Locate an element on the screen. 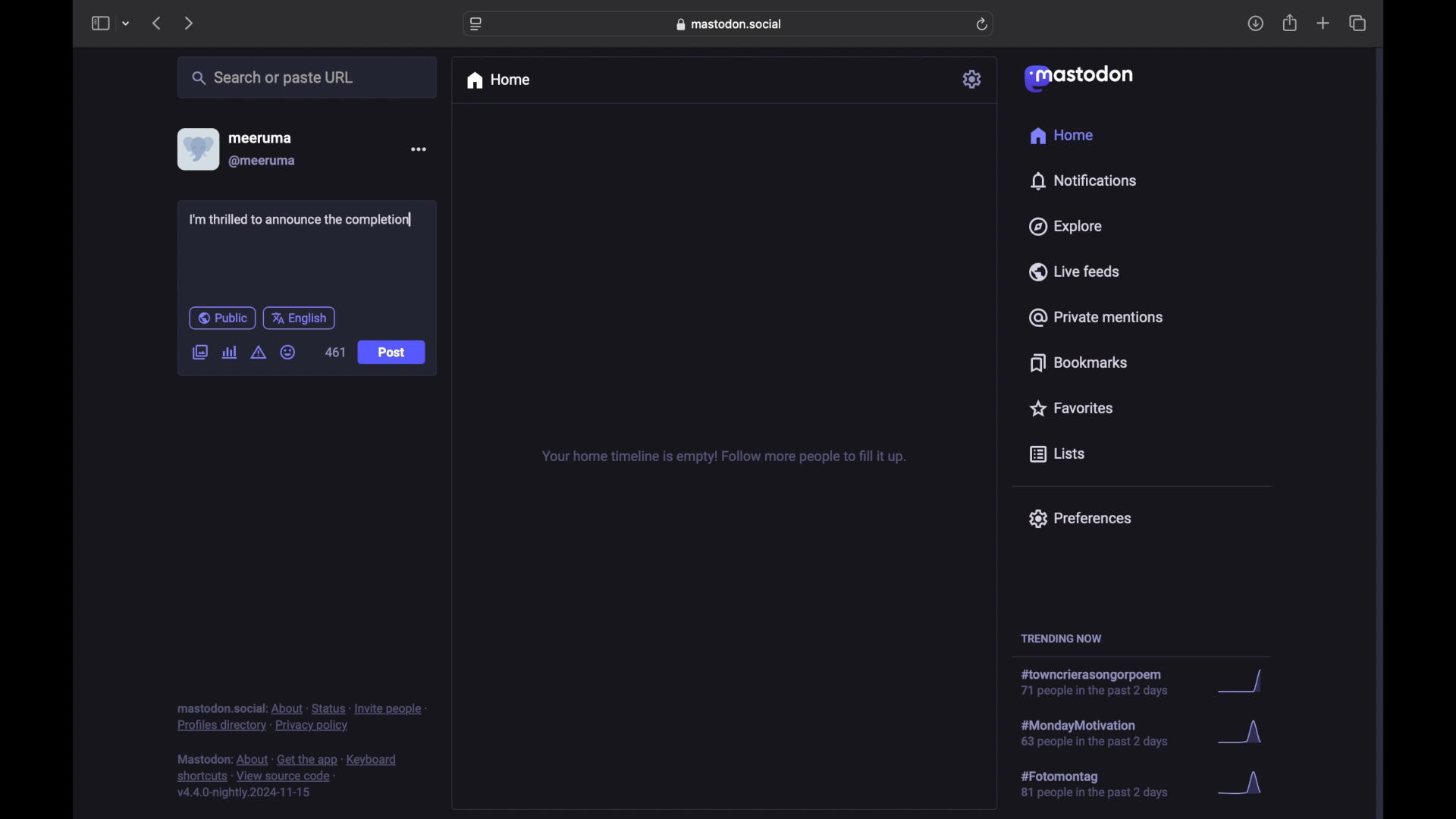  website settings is located at coordinates (476, 25).